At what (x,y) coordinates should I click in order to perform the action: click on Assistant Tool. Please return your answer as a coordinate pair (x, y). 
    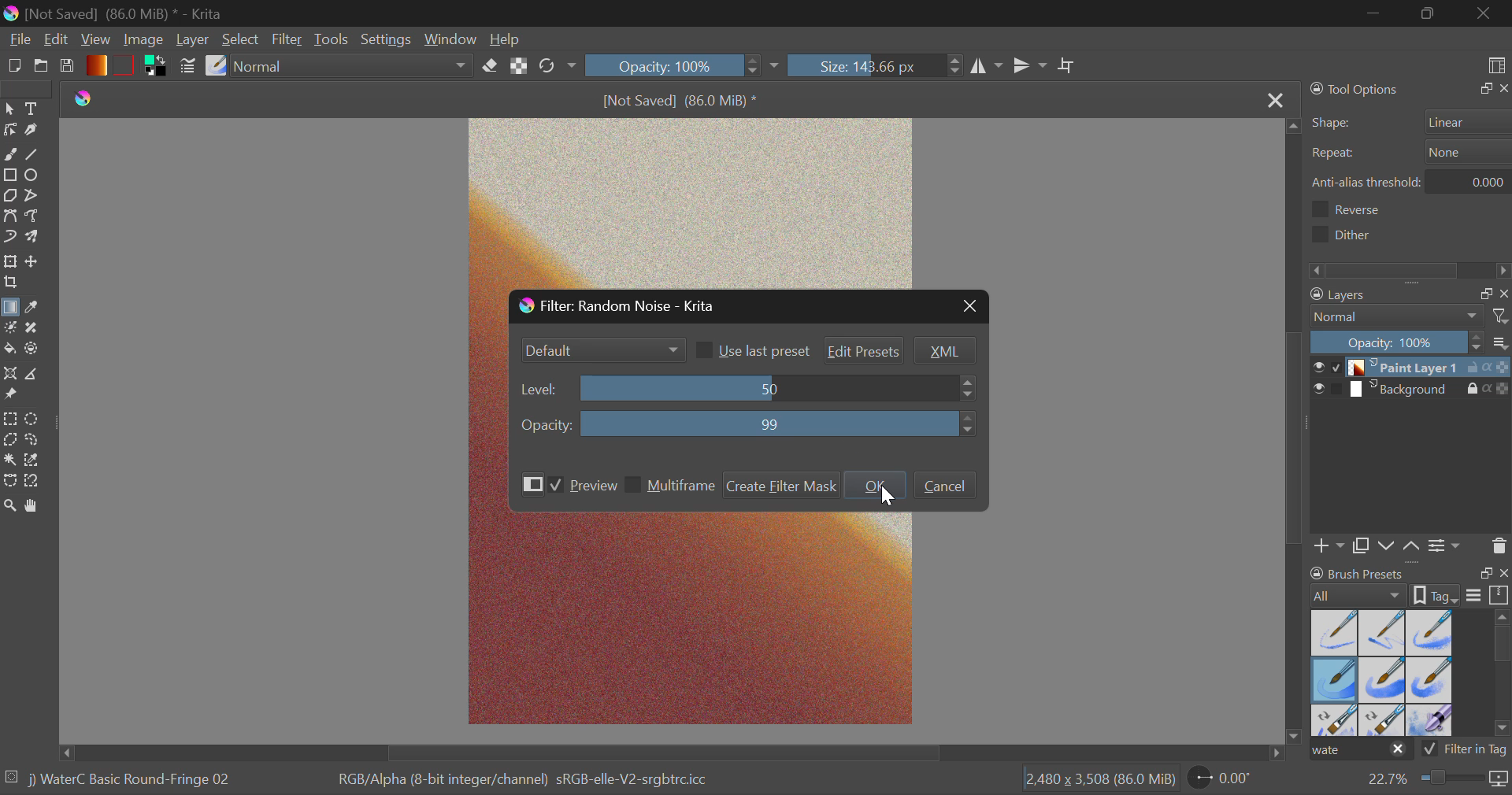
    Looking at the image, I should click on (11, 375).